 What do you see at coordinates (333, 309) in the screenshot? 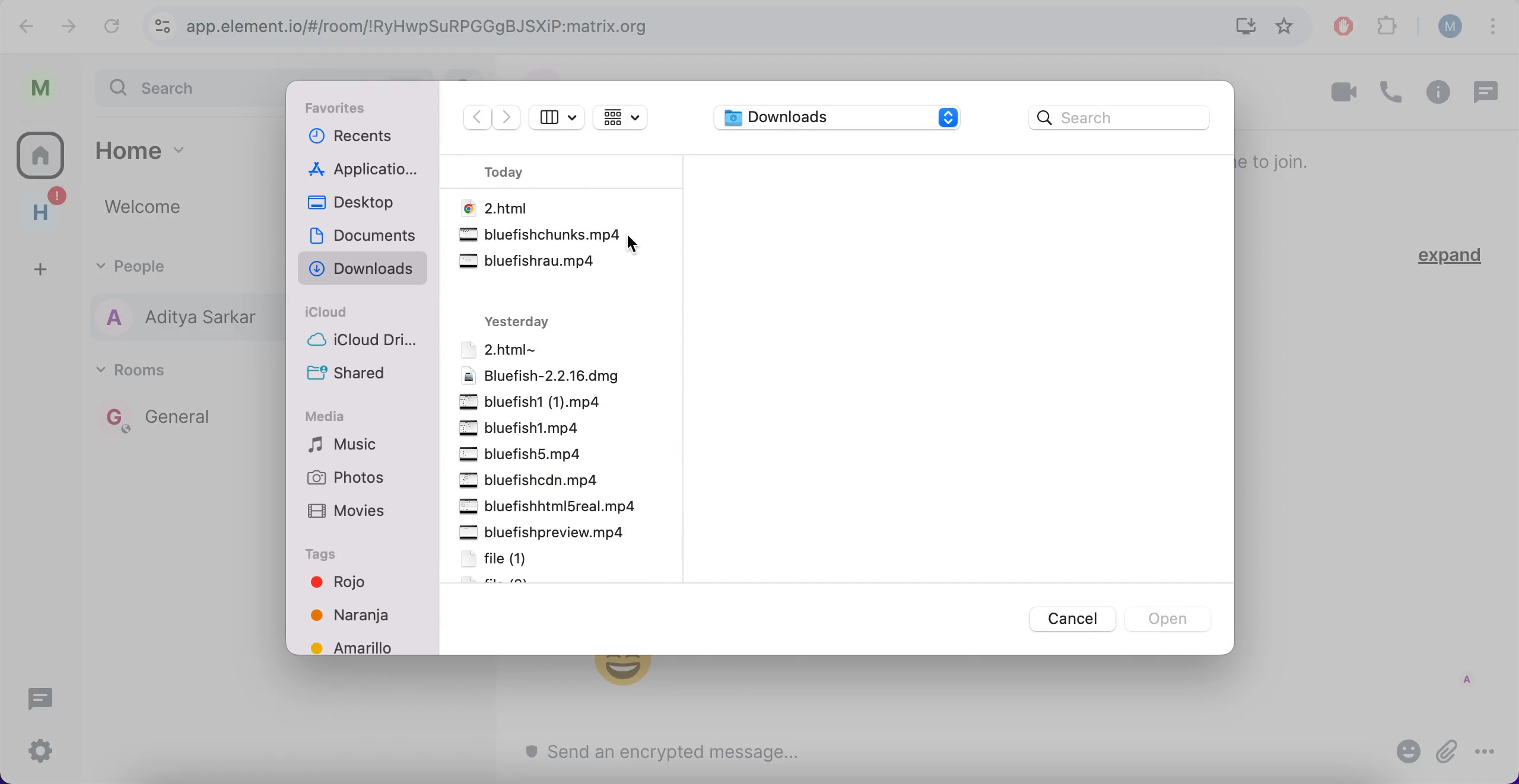
I see `icloud` at bounding box center [333, 309].